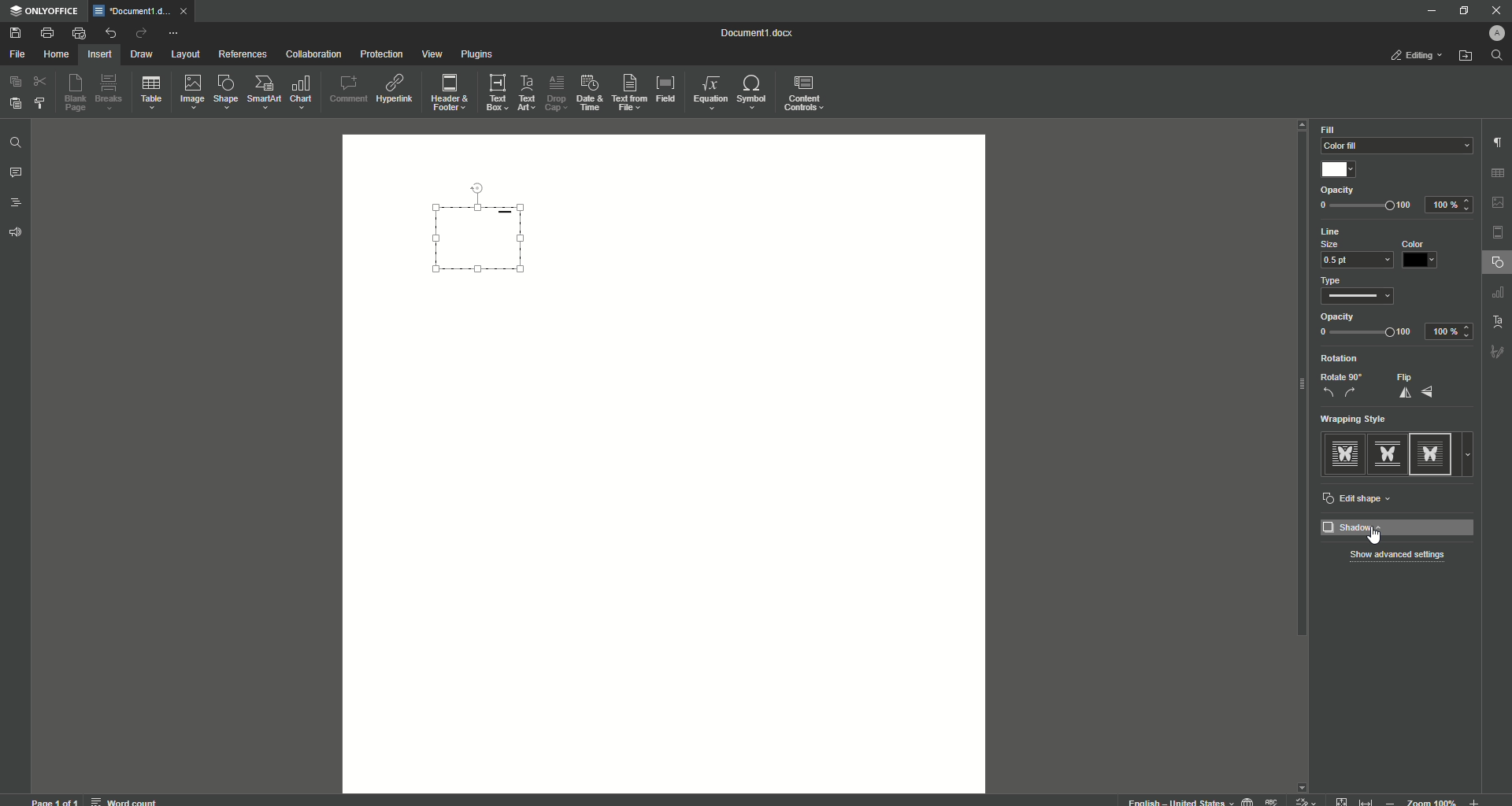 The image size is (1512, 806). I want to click on Symbols, so click(750, 92).